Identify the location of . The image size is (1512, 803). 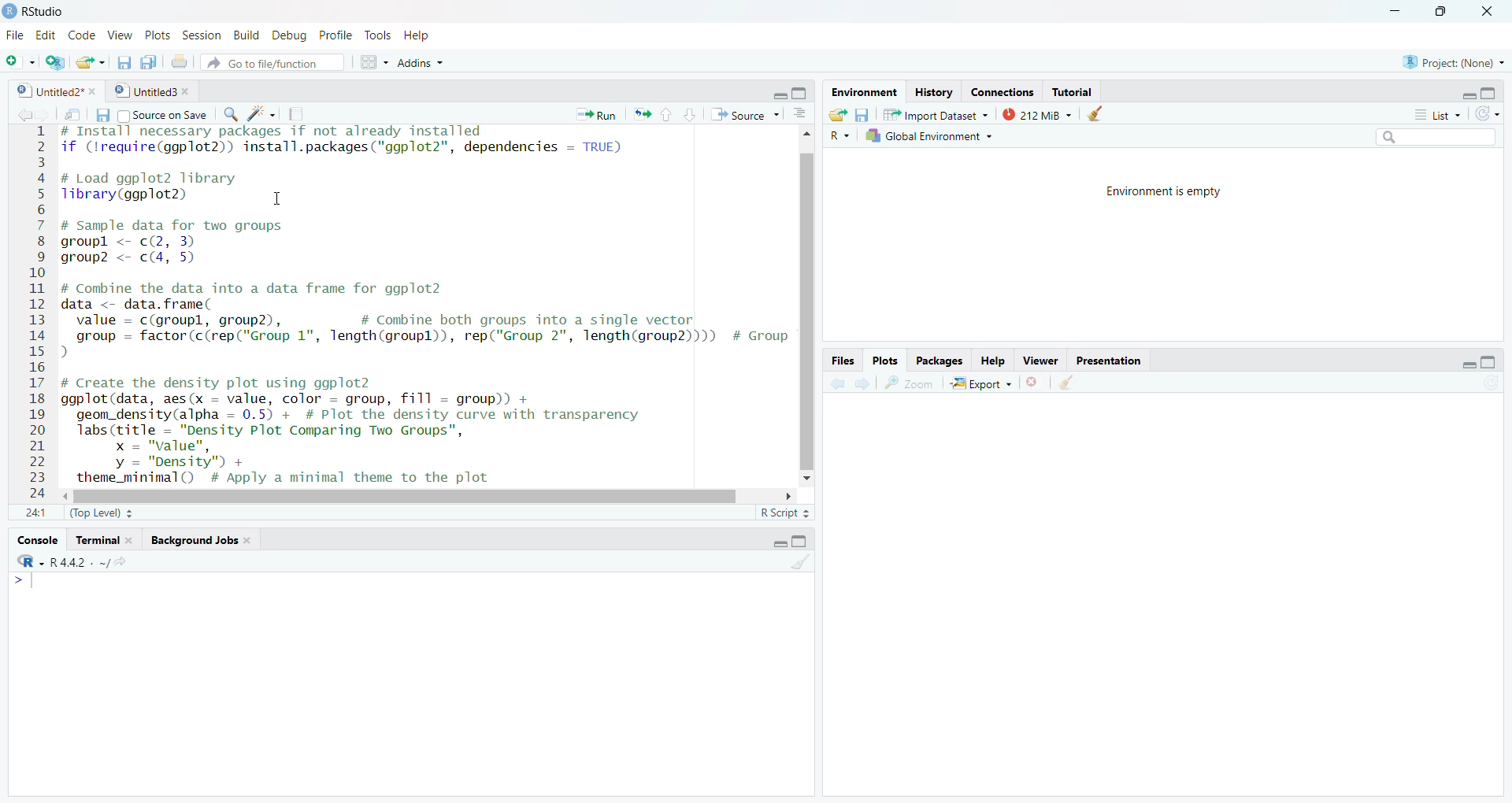
(806, 113).